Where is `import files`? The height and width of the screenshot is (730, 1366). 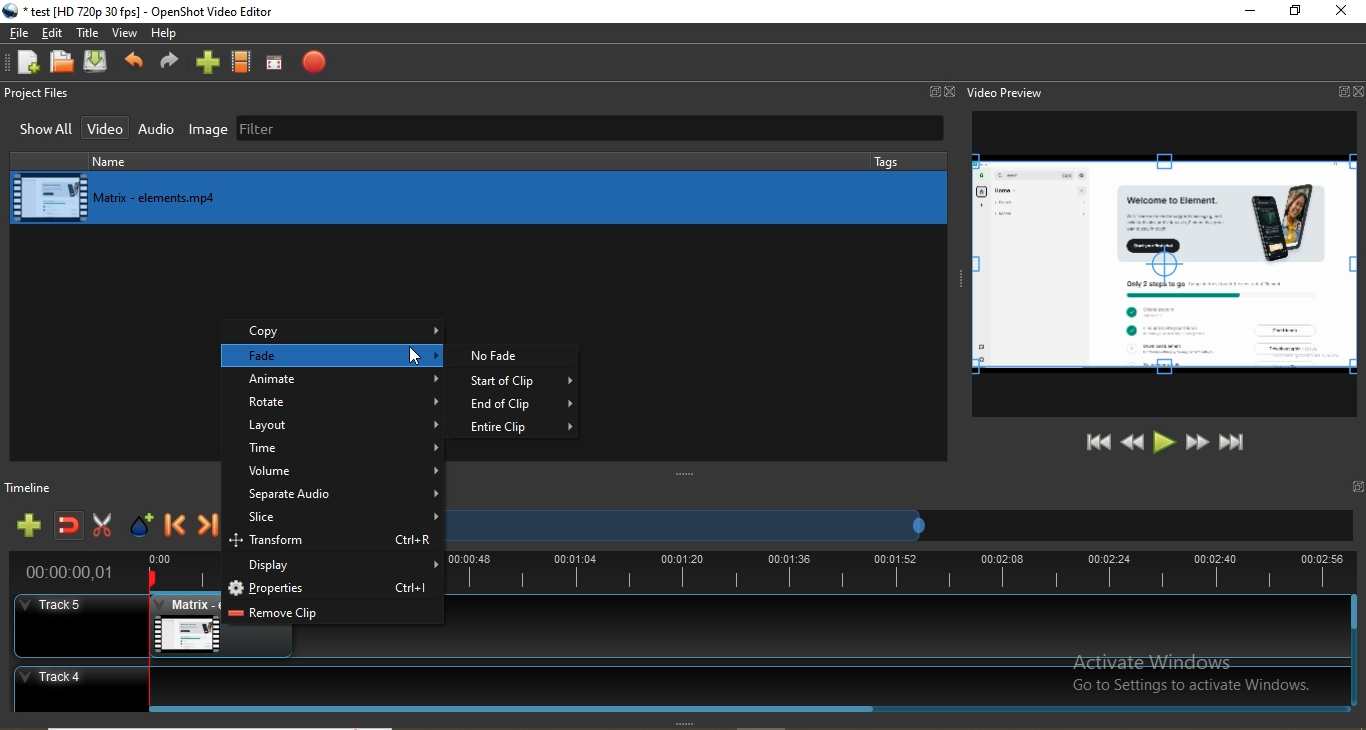 import files is located at coordinates (209, 62).